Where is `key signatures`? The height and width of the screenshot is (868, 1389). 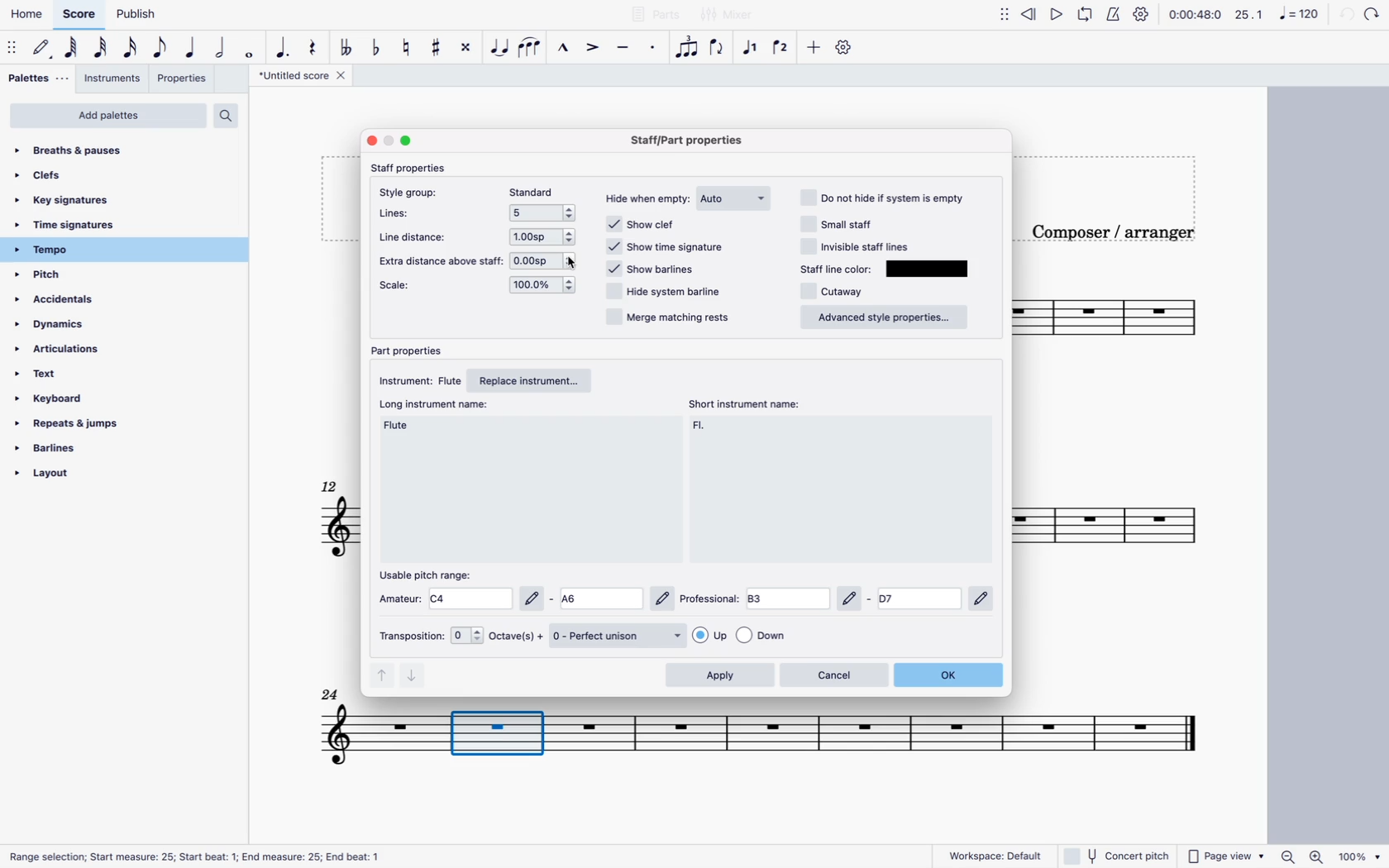 key signatures is located at coordinates (85, 203).